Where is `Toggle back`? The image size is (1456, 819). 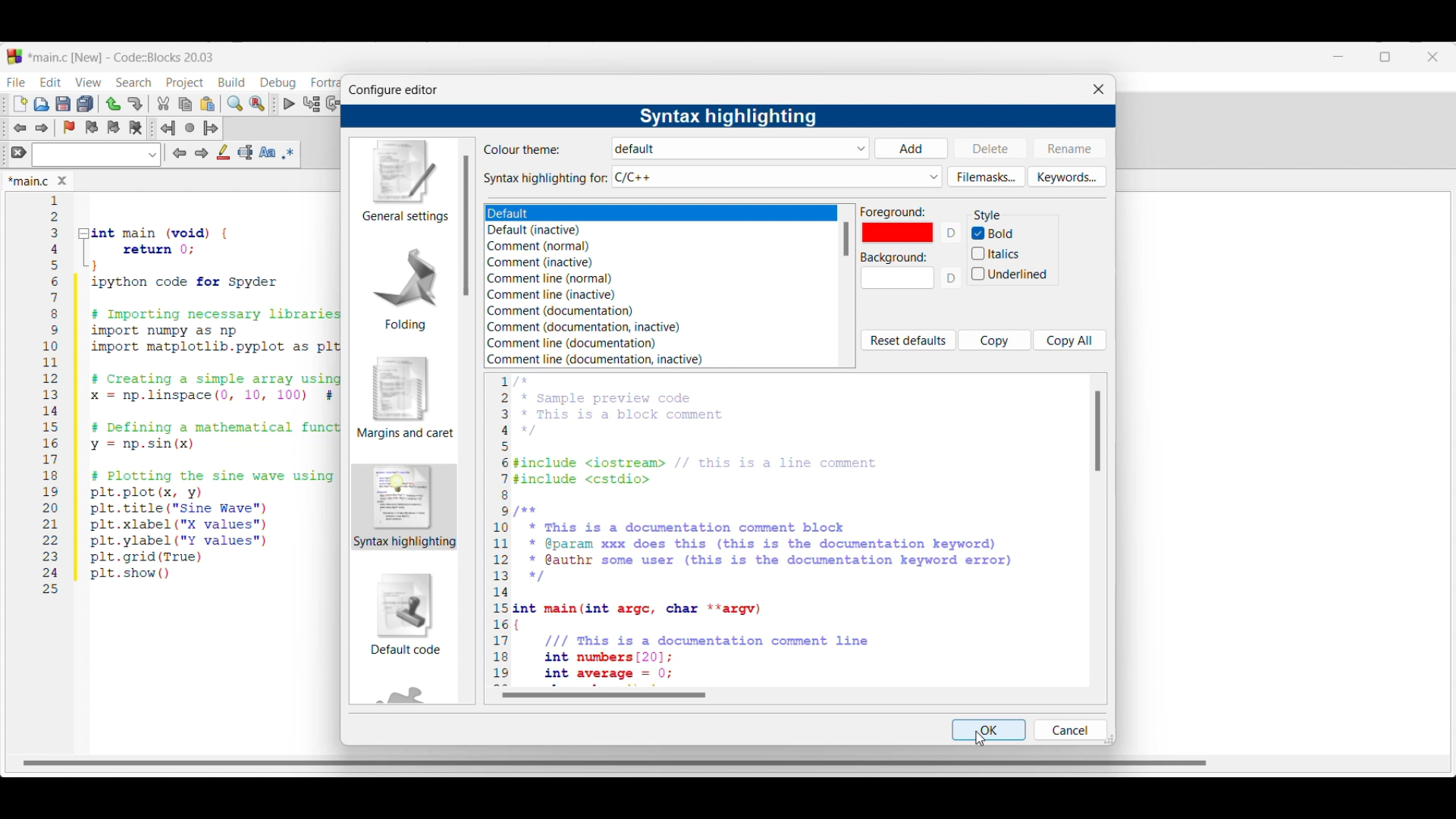 Toggle back is located at coordinates (20, 128).